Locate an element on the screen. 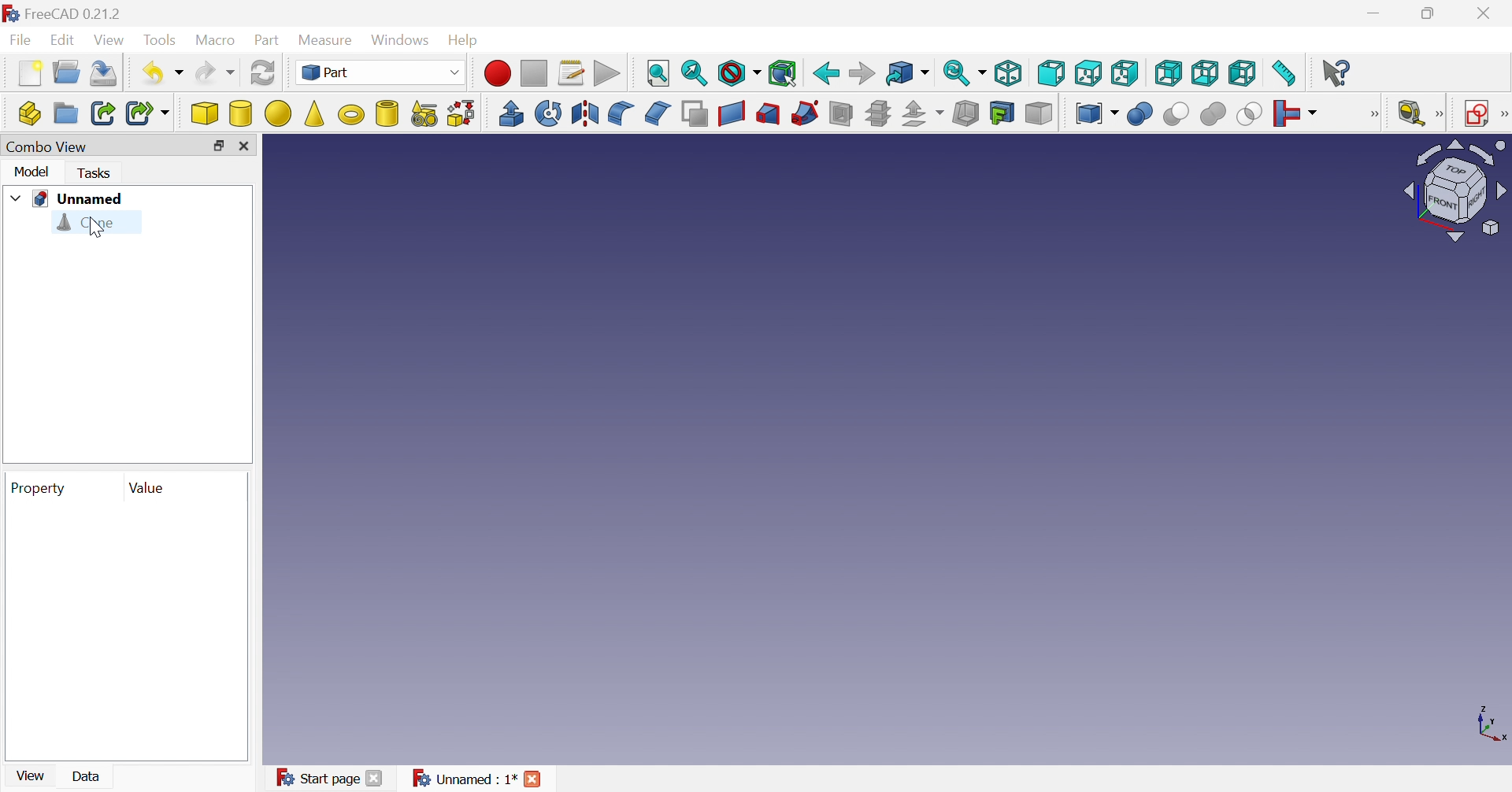 This screenshot has width=1512, height=792. Intersection is located at coordinates (1247, 116).